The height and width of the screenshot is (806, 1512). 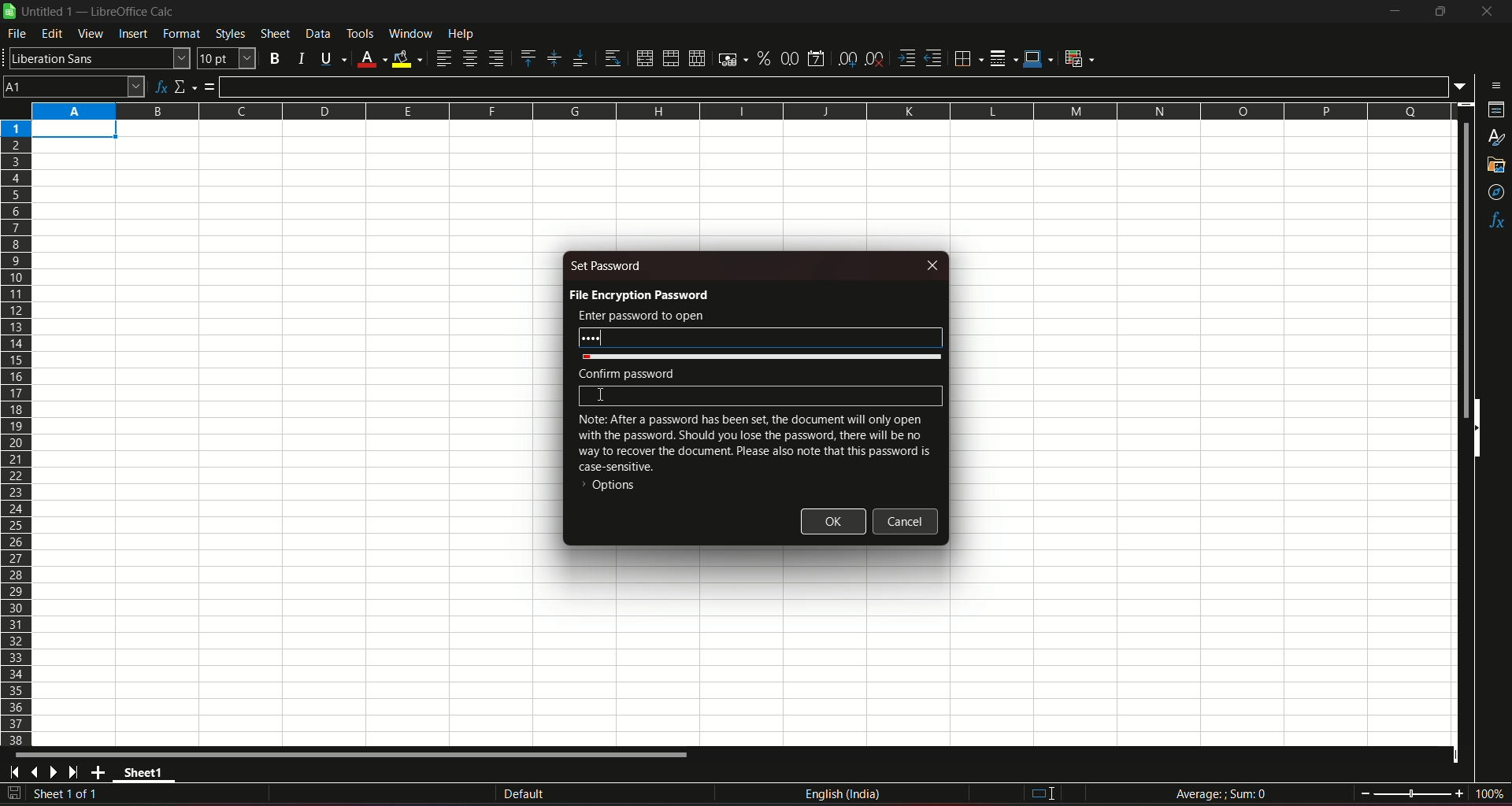 What do you see at coordinates (1492, 84) in the screenshot?
I see `sidebar settings` at bounding box center [1492, 84].